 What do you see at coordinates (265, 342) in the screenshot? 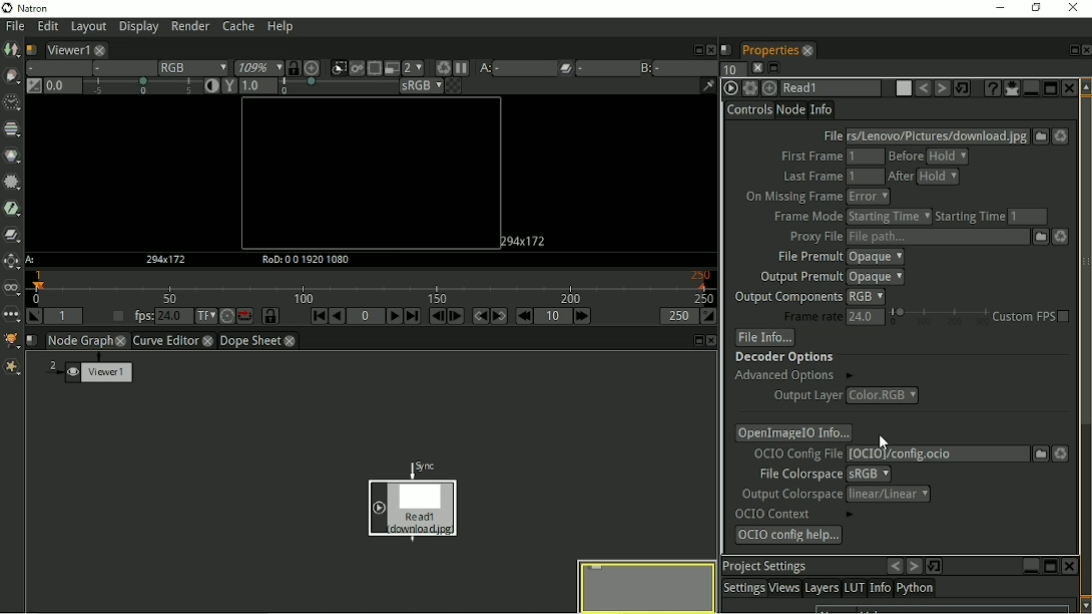
I see `Dope sheet` at bounding box center [265, 342].